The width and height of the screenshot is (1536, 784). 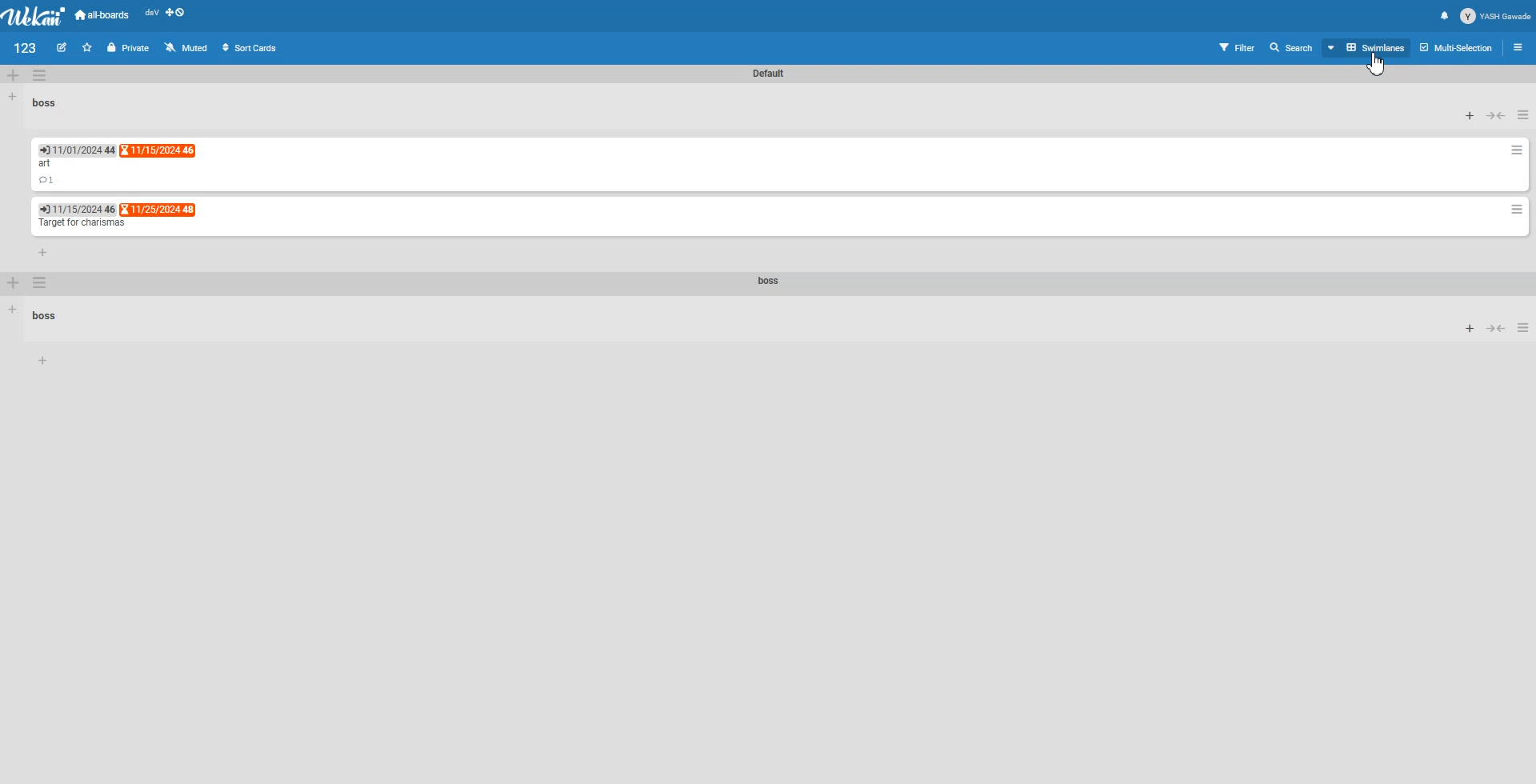 I want to click on All-boards, so click(x=103, y=14).